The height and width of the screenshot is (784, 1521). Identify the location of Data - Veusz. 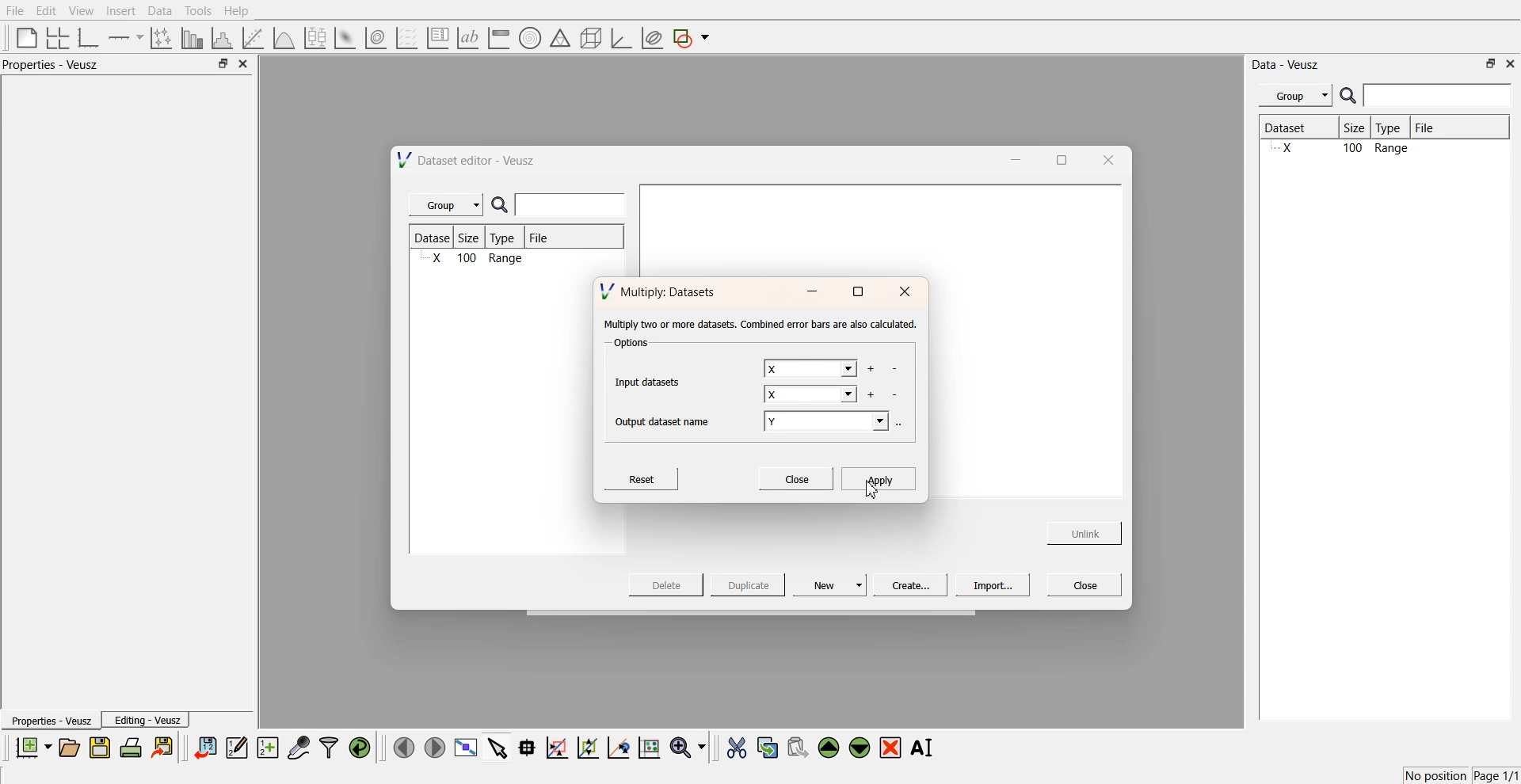
(1287, 65).